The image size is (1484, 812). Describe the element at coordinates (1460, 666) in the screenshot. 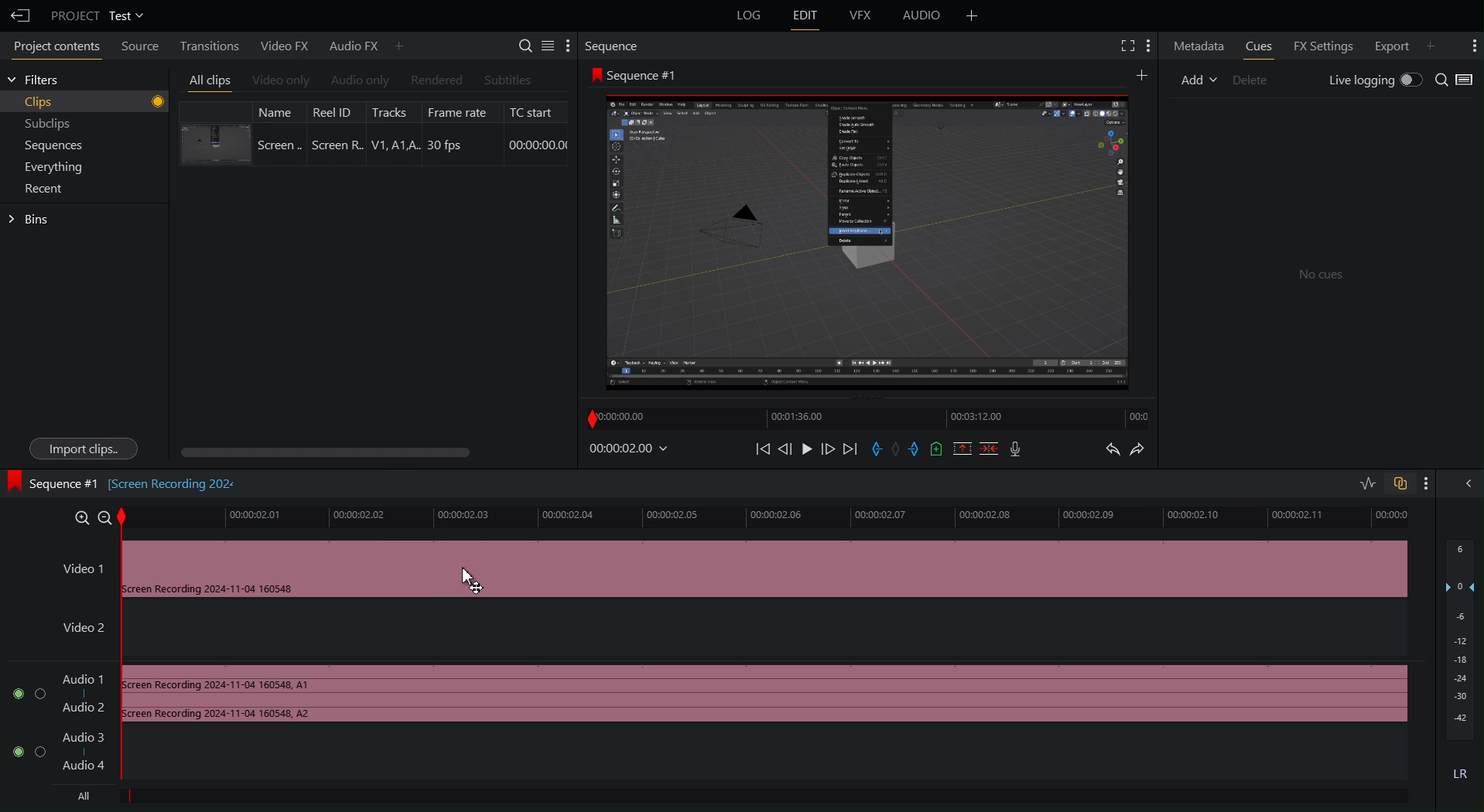

I see `Audio Levels` at that location.